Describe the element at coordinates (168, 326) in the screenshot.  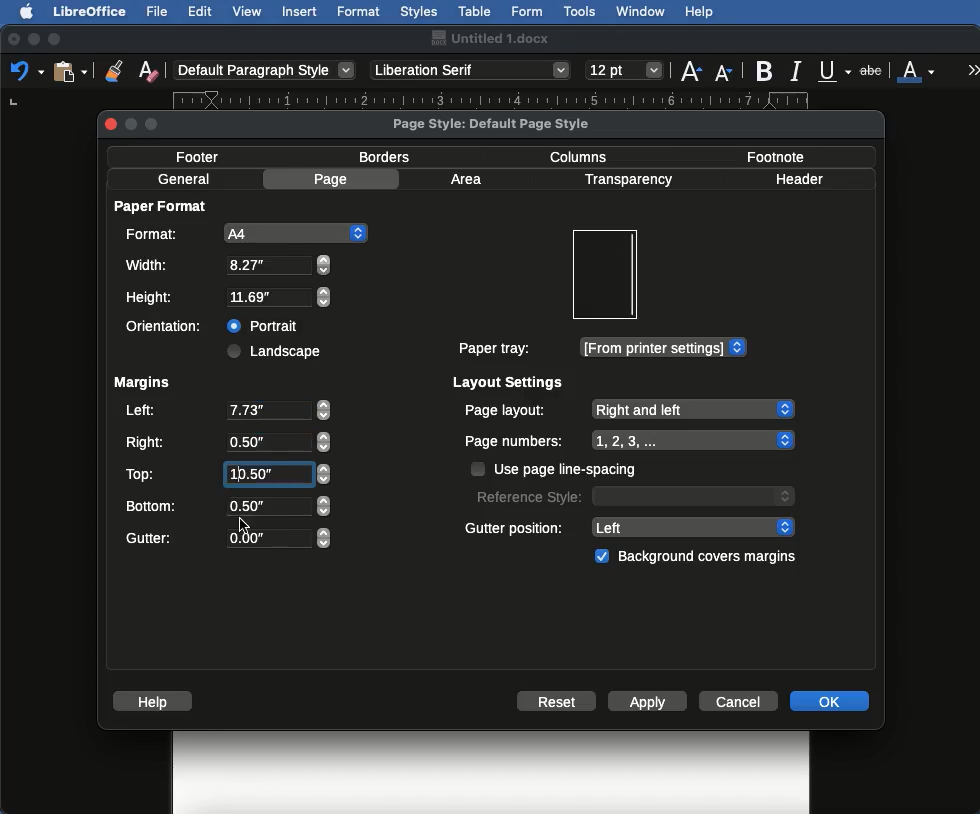
I see `Orientation` at that location.